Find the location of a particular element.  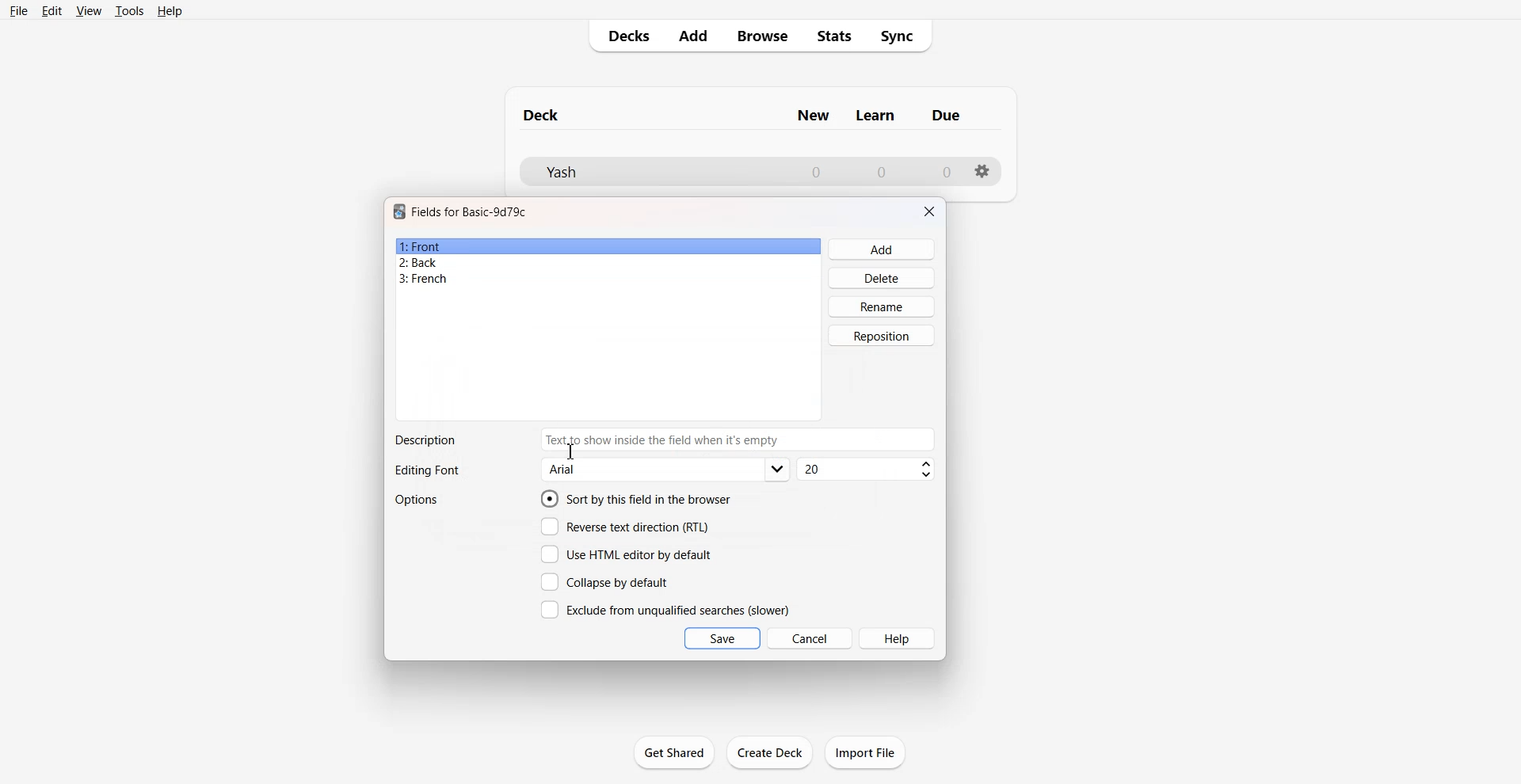

Get Shared is located at coordinates (674, 752).